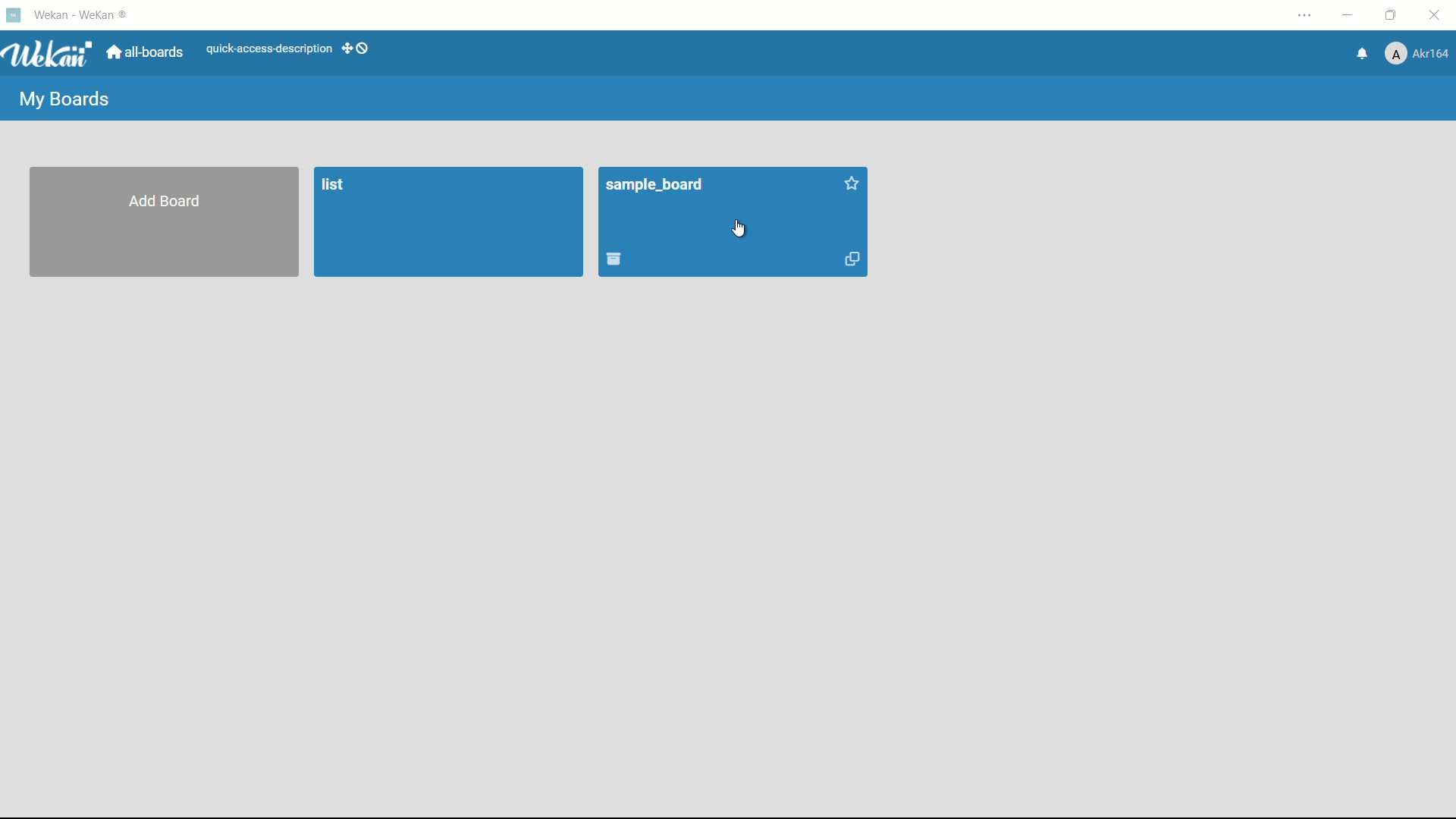 The image size is (1456, 819). Describe the element at coordinates (49, 55) in the screenshot. I see `app logo` at that location.